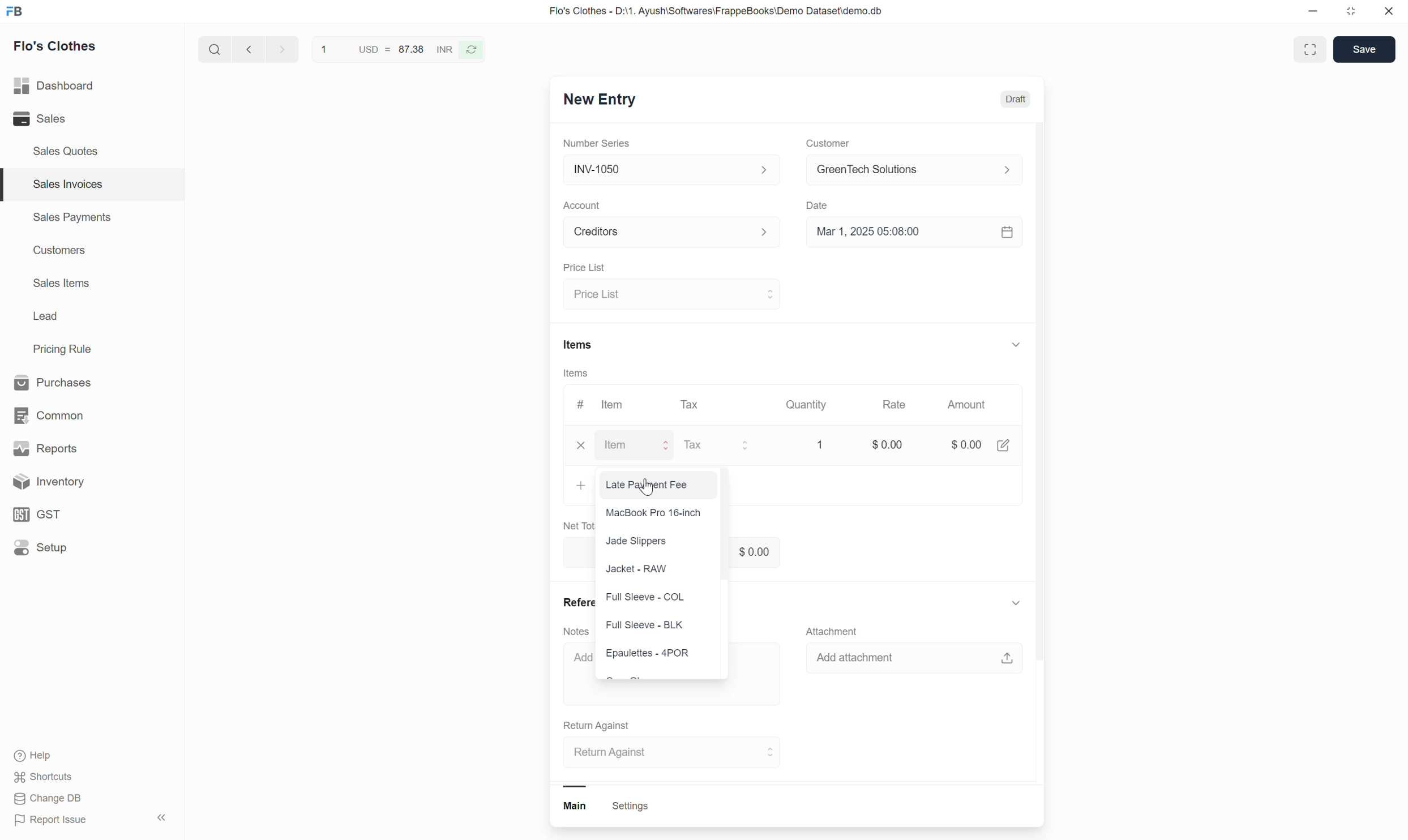 The width and height of the screenshot is (1408, 840). What do you see at coordinates (786, 552) in the screenshot?
I see `net total input box` at bounding box center [786, 552].